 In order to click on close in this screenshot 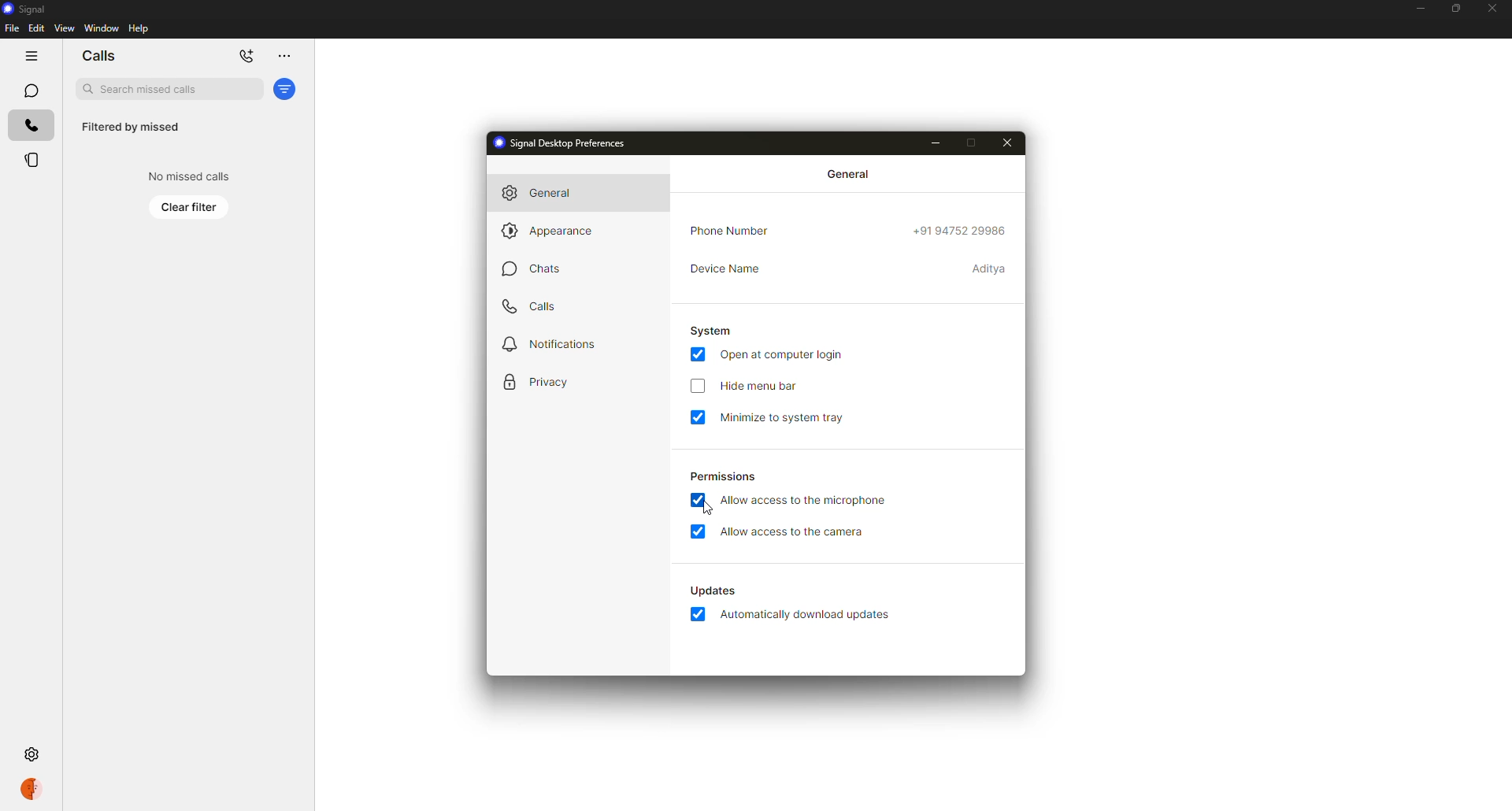, I will do `click(1007, 144)`.